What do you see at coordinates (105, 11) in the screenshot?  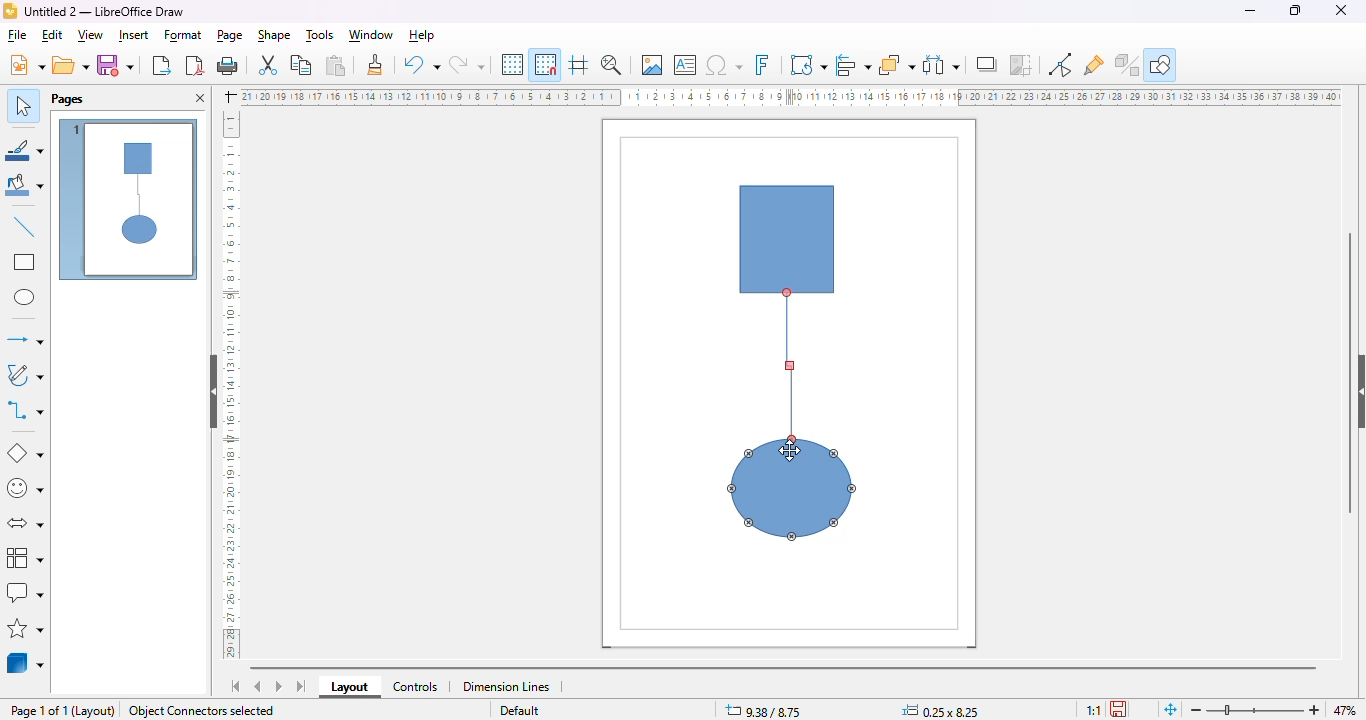 I see `Untitled 2 - LibreOffice Draw` at bounding box center [105, 11].